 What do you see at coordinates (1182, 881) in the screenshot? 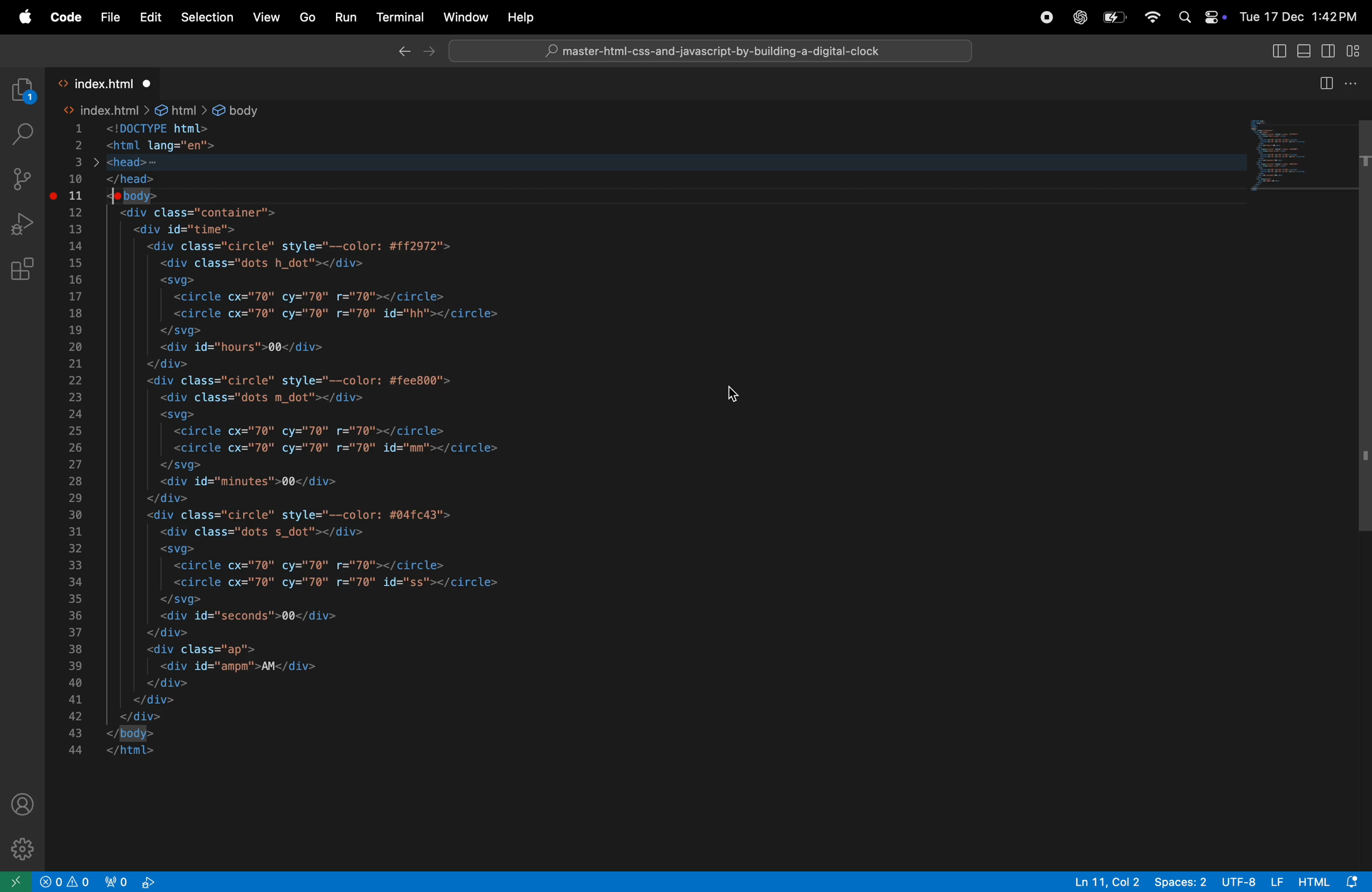
I see `Spaces: 2` at bounding box center [1182, 881].